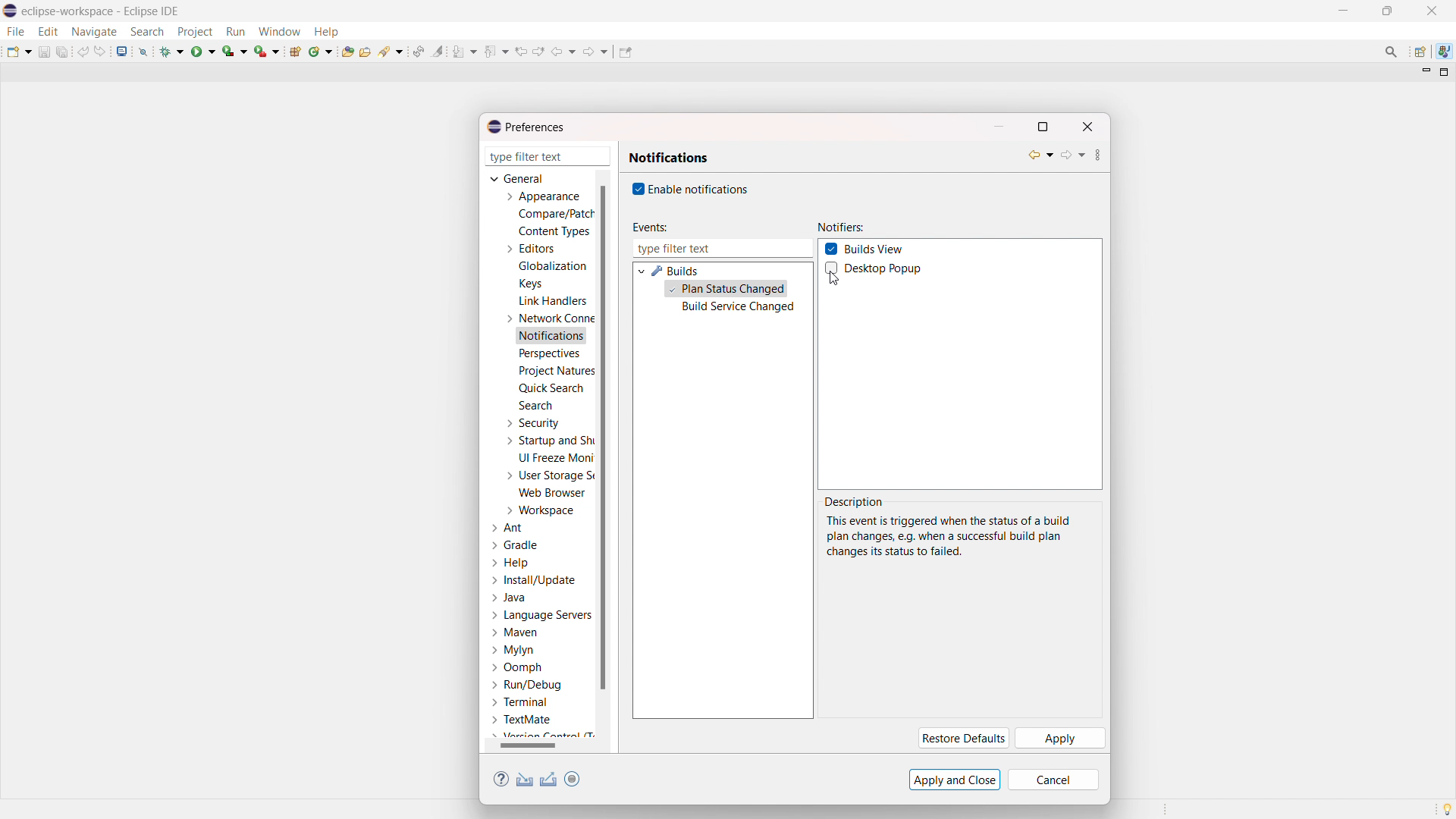  What do you see at coordinates (1053, 780) in the screenshot?
I see `cancel` at bounding box center [1053, 780].